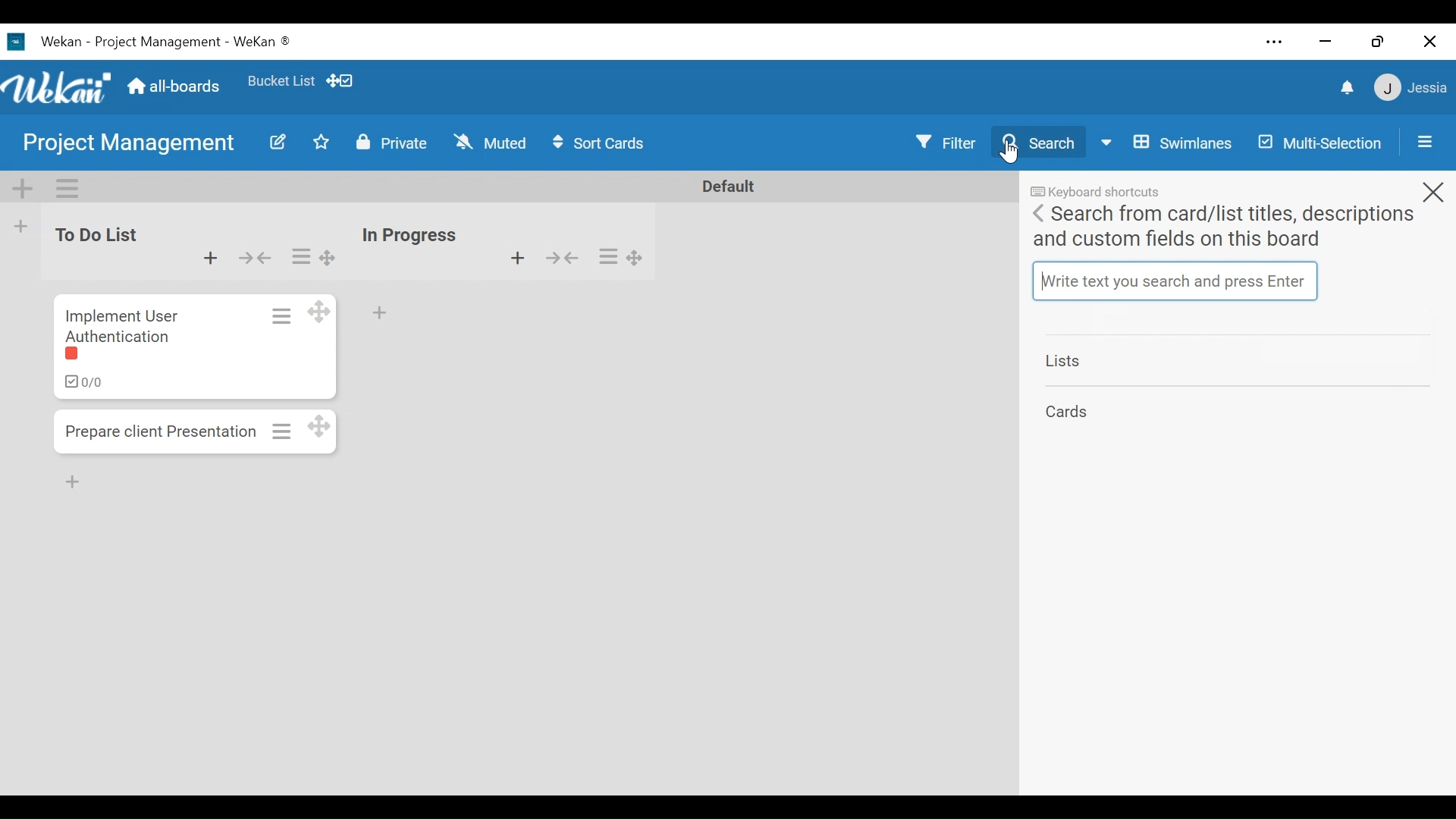  What do you see at coordinates (519, 261) in the screenshot?
I see `Add card to top of the list` at bounding box center [519, 261].